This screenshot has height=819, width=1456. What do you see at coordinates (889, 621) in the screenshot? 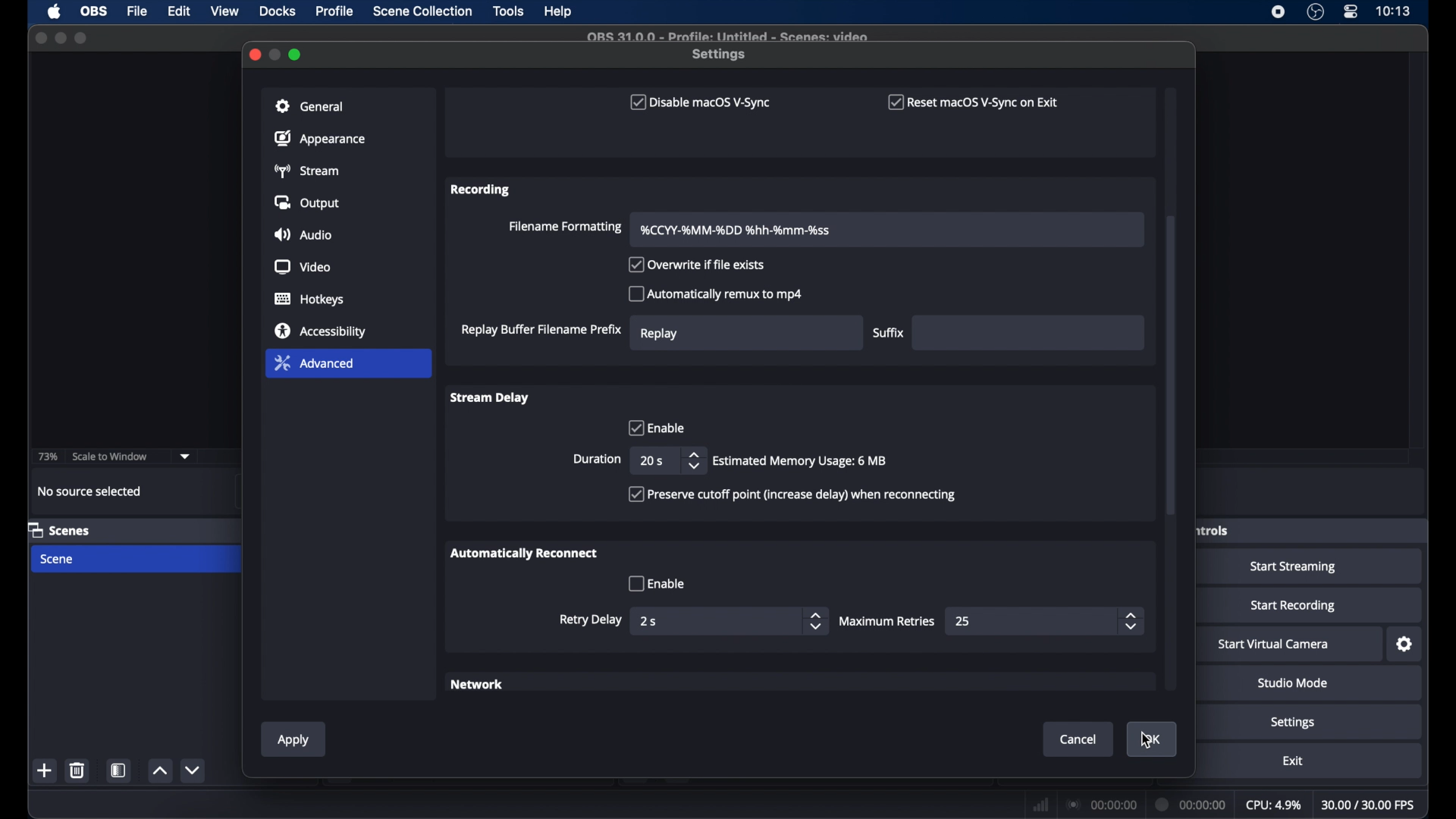
I see `maximum retires` at bounding box center [889, 621].